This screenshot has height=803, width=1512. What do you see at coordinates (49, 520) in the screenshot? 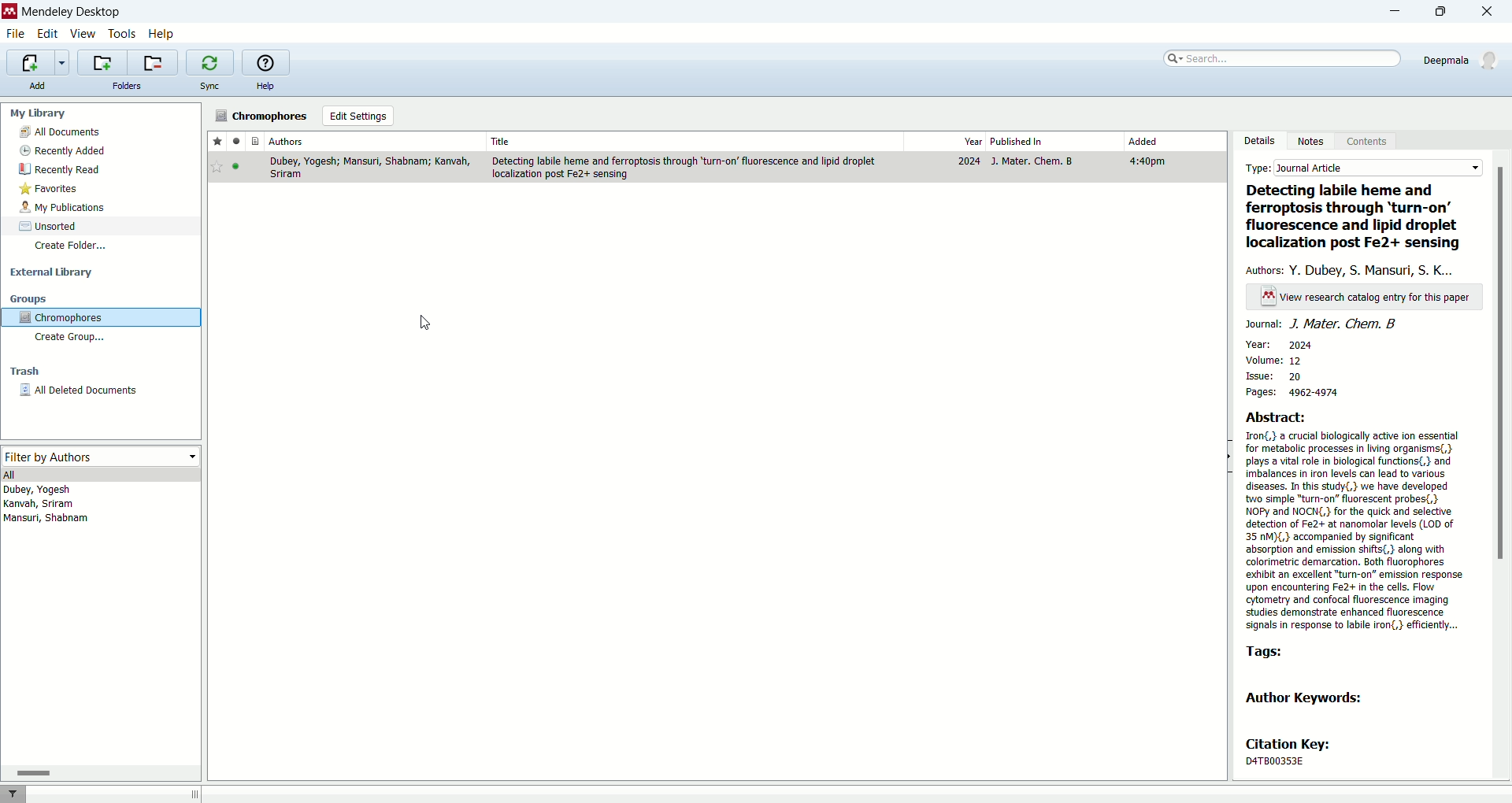
I see `Mansuri, shabnam` at bounding box center [49, 520].